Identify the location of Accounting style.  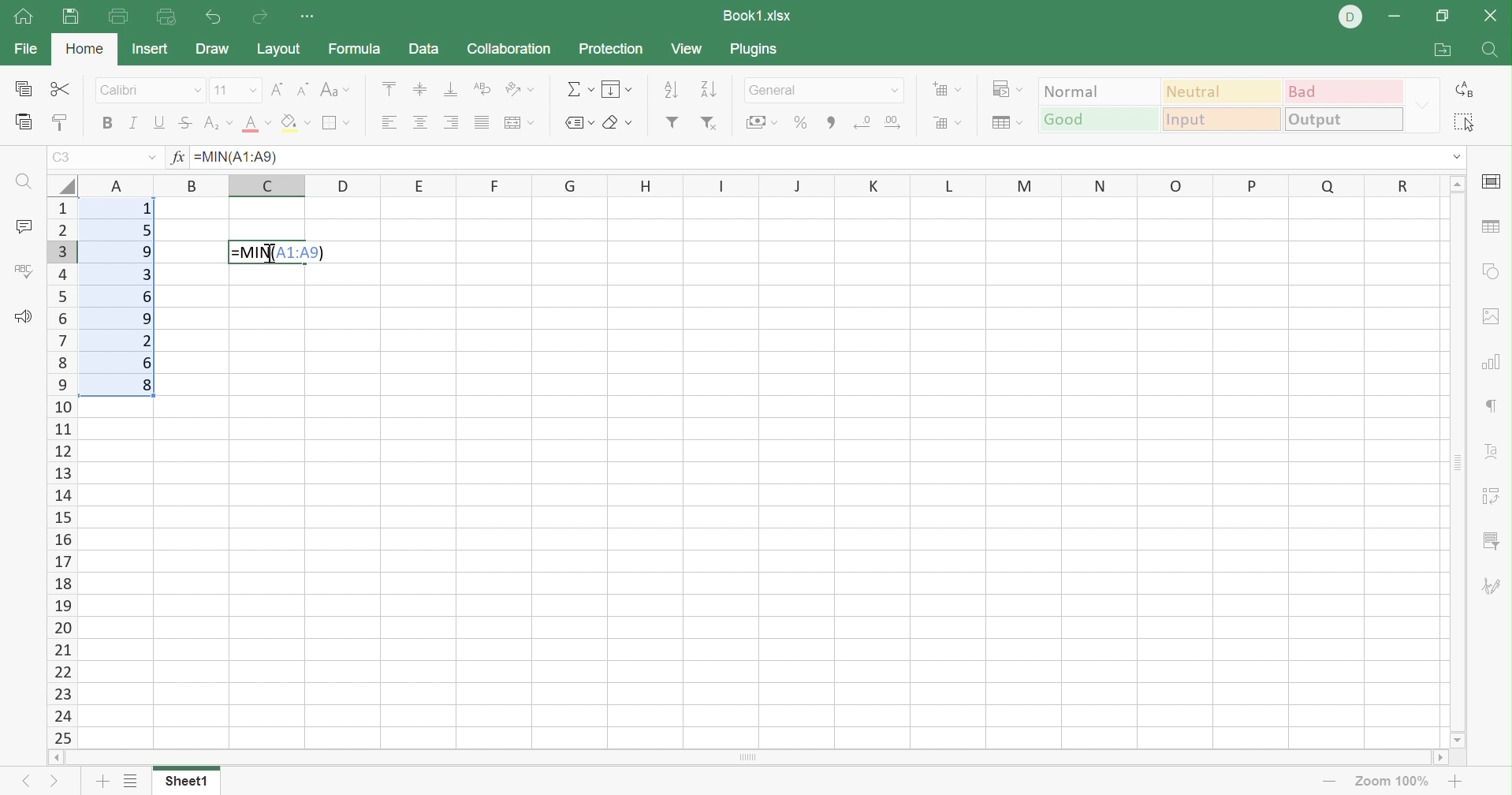
(762, 121).